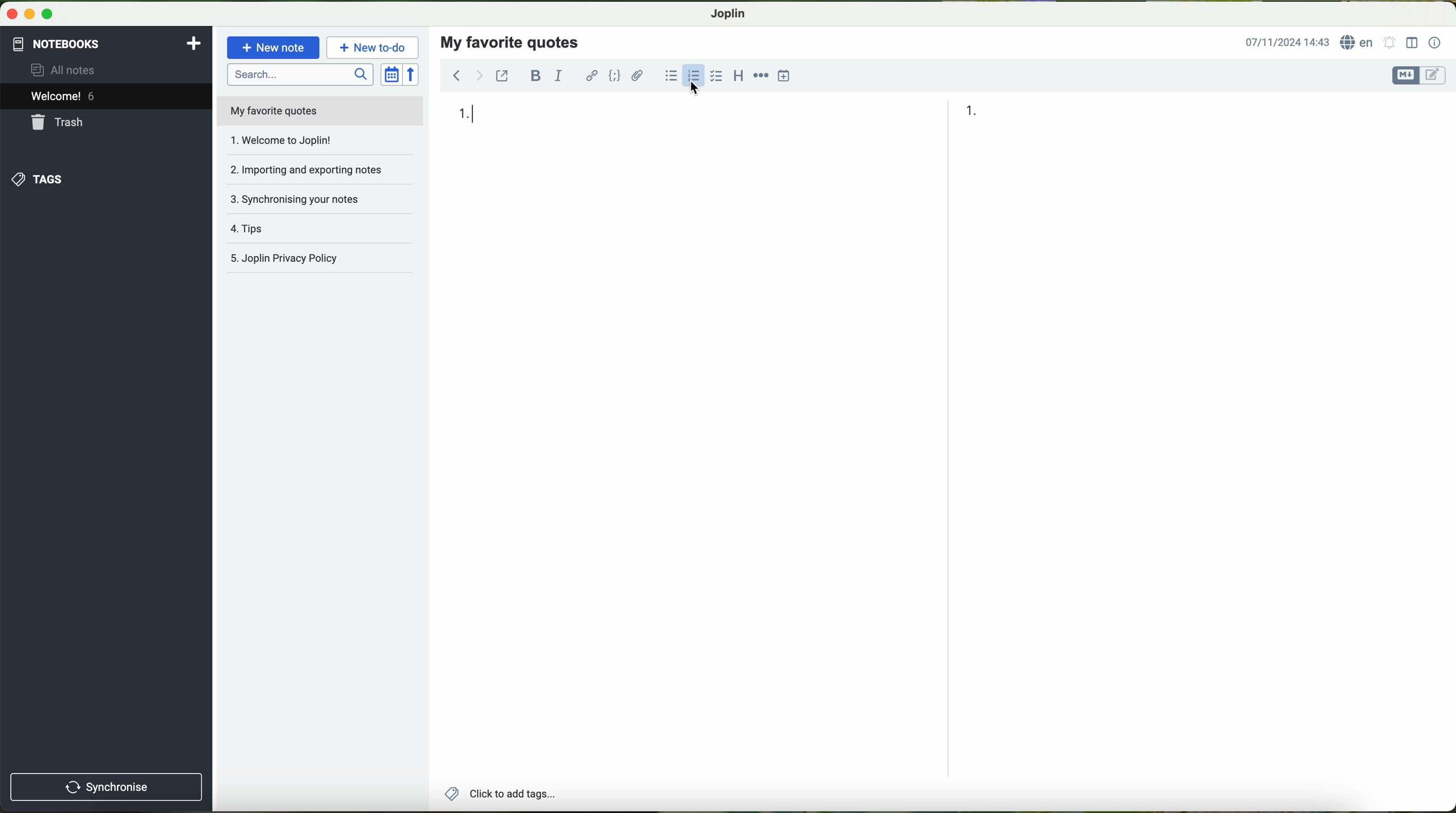 The height and width of the screenshot is (813, 1456). What do you see at coordinates (971, 111) in the screenshot?
I see `1 in the list` at bounding box center [971, 111].